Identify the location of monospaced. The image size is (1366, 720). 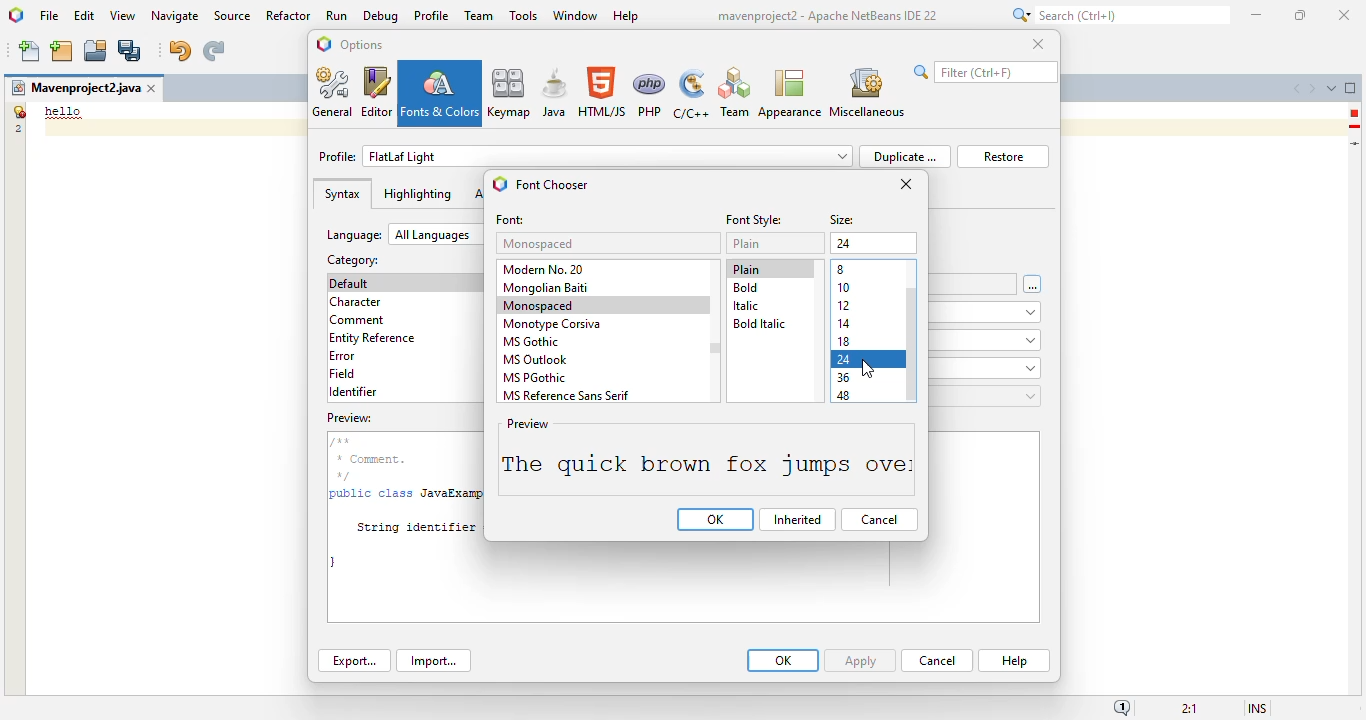
(540, 243).